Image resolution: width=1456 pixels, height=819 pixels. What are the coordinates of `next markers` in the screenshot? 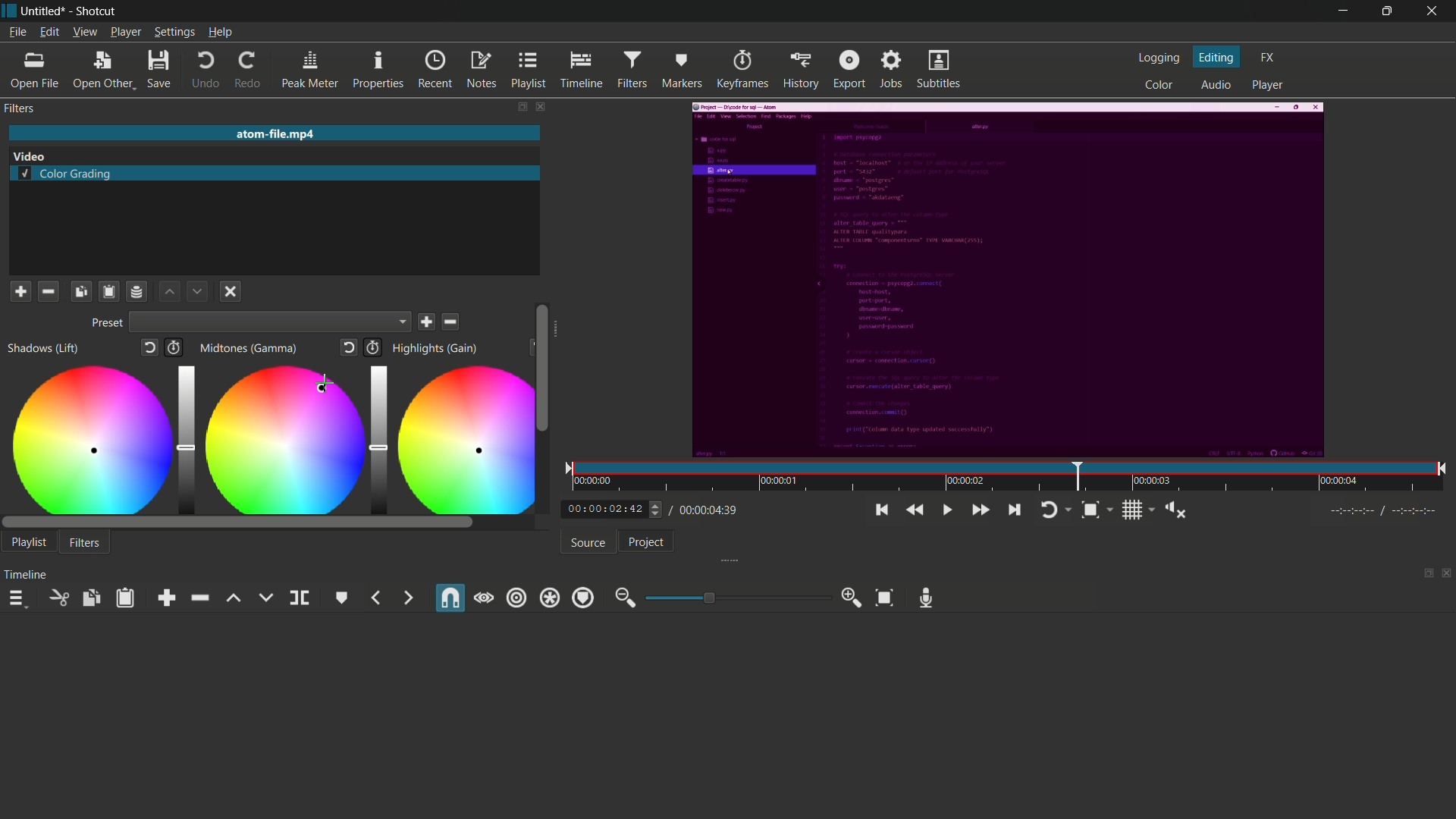 It's located at (406, 598).